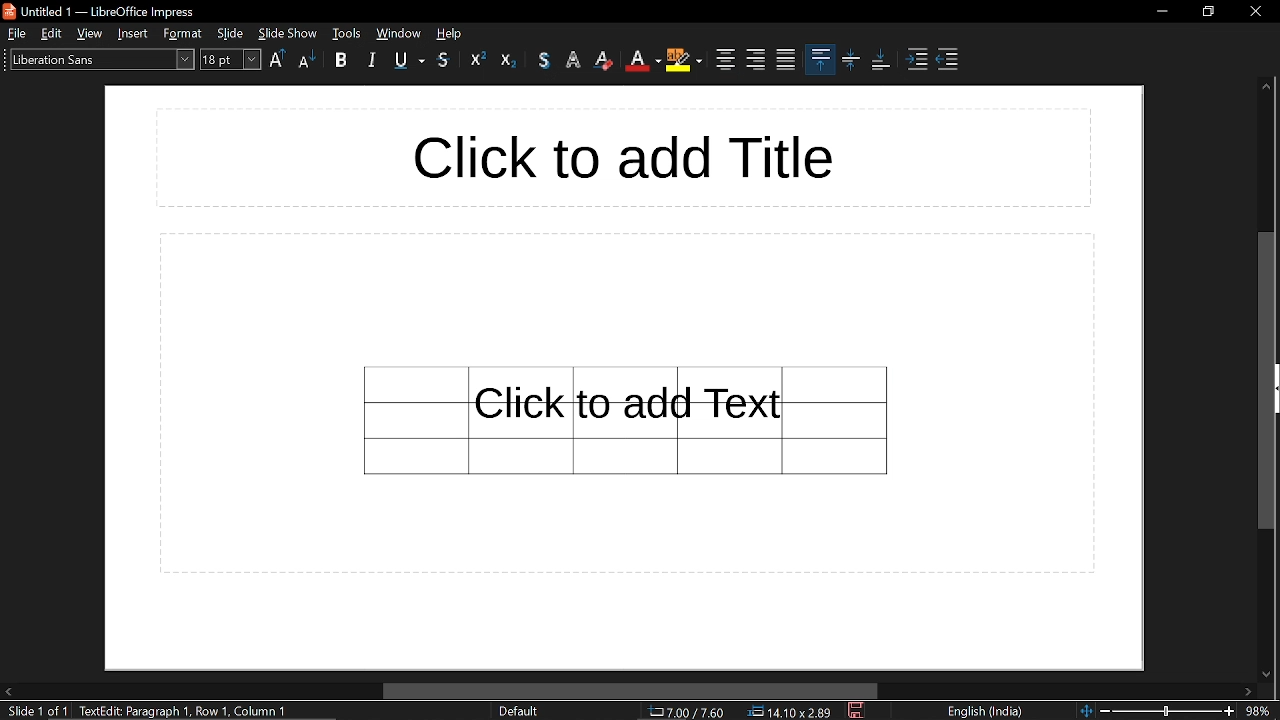  Describe the element at coordinates (15, 33) in the screenshot. I see `file` at that location.